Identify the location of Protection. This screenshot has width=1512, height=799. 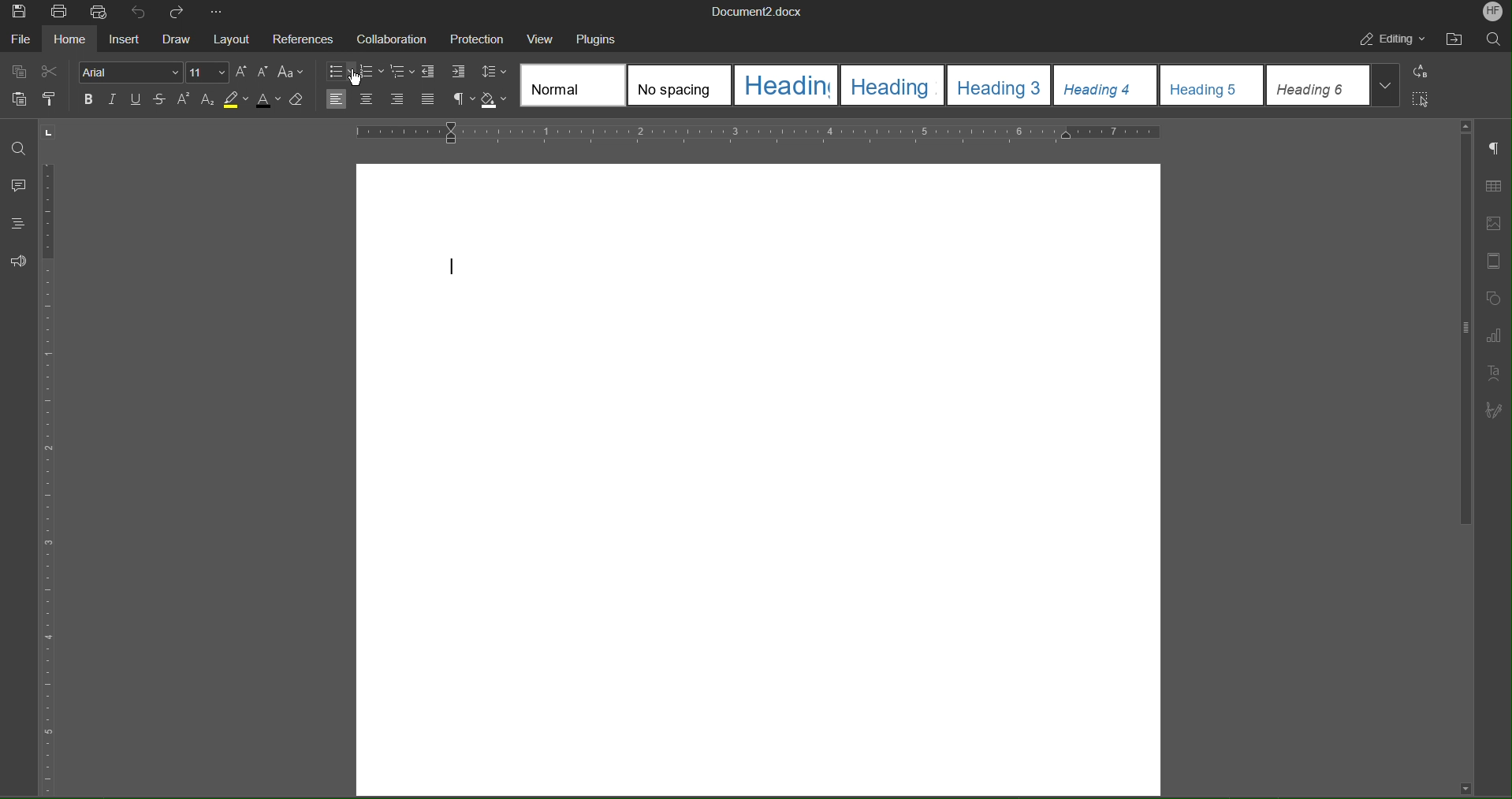
(479, 39).